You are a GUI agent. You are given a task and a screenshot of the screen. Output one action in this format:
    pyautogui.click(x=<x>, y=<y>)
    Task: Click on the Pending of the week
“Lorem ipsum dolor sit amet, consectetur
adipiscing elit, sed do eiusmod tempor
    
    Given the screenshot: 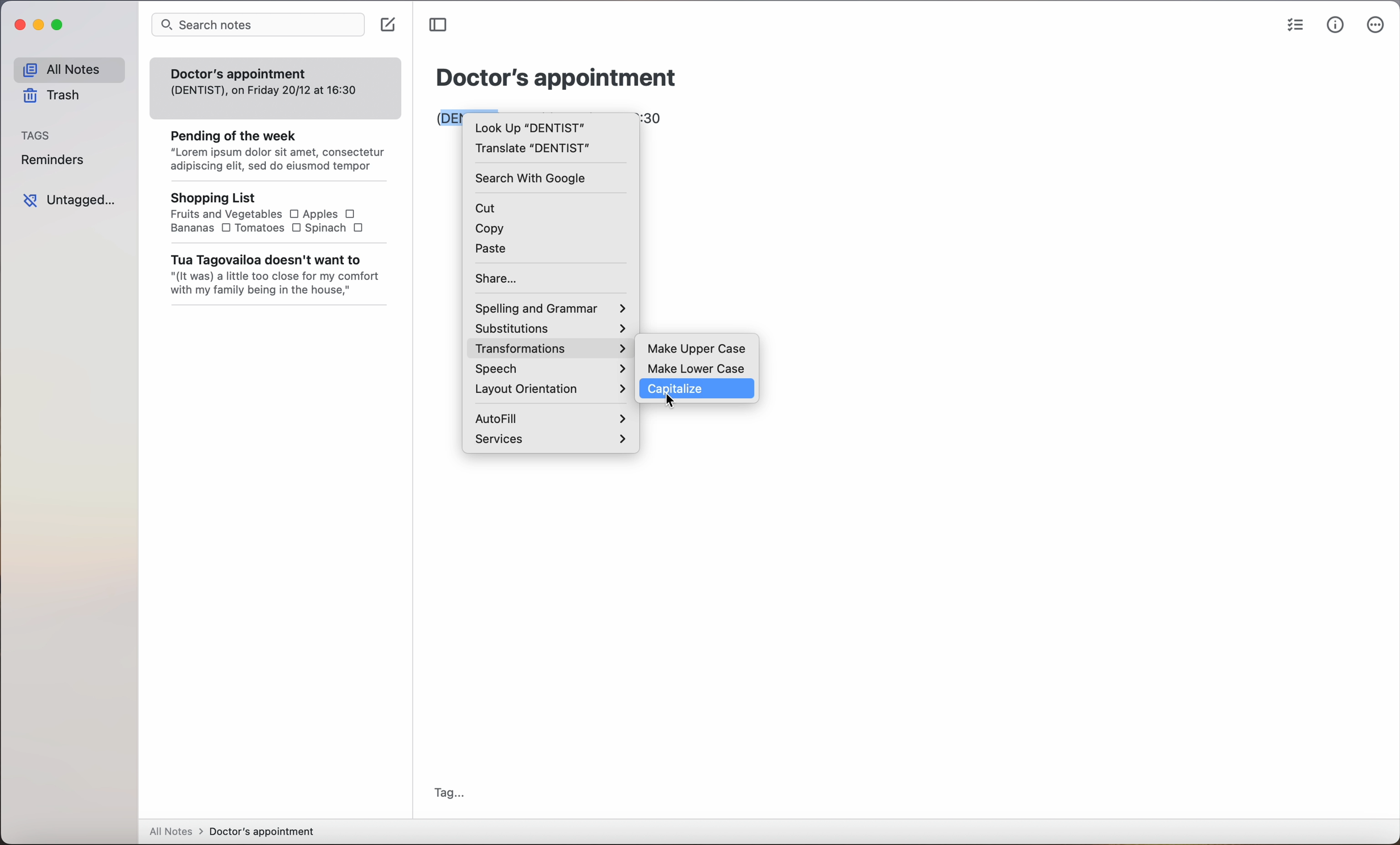 What is the action you would take?
    pyautogui.click(x=270, y=147)
    